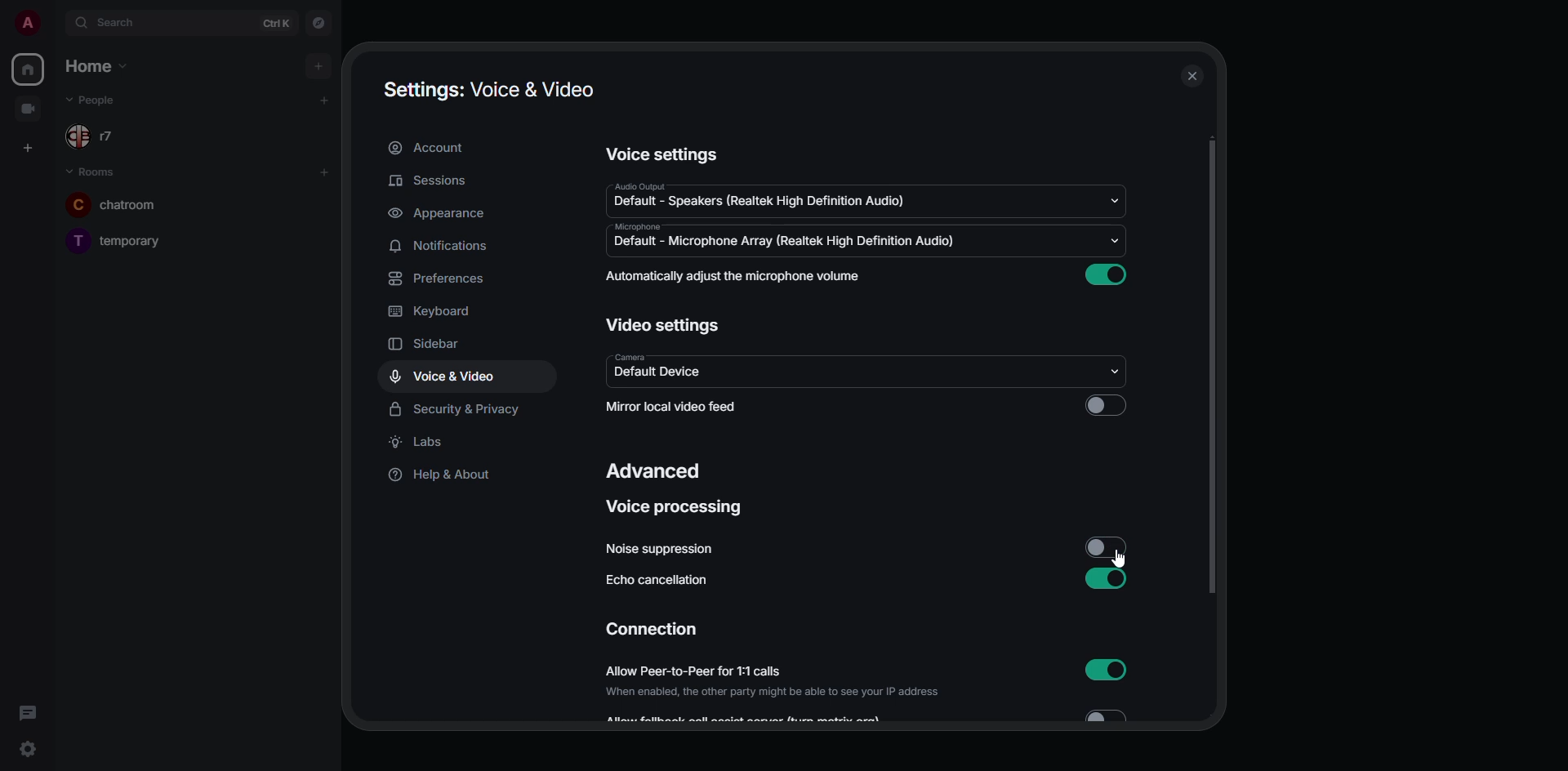 This screenshot has width=1568, height=771. Describe the element at coordinates (679, 507) in the screenshot. I see `voice processing` at that location.